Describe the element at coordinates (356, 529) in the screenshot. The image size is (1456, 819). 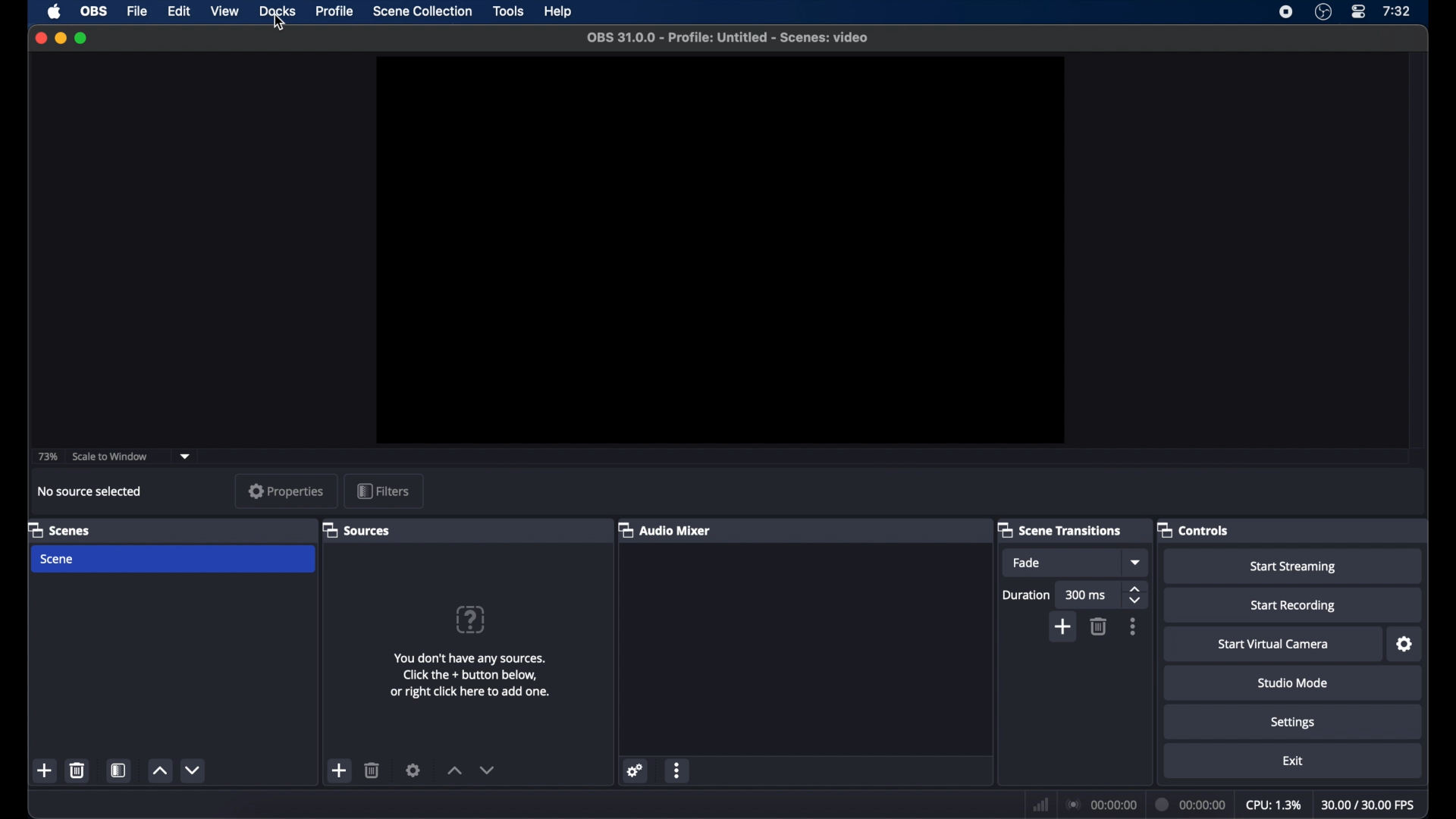
I see `sources` at that location.